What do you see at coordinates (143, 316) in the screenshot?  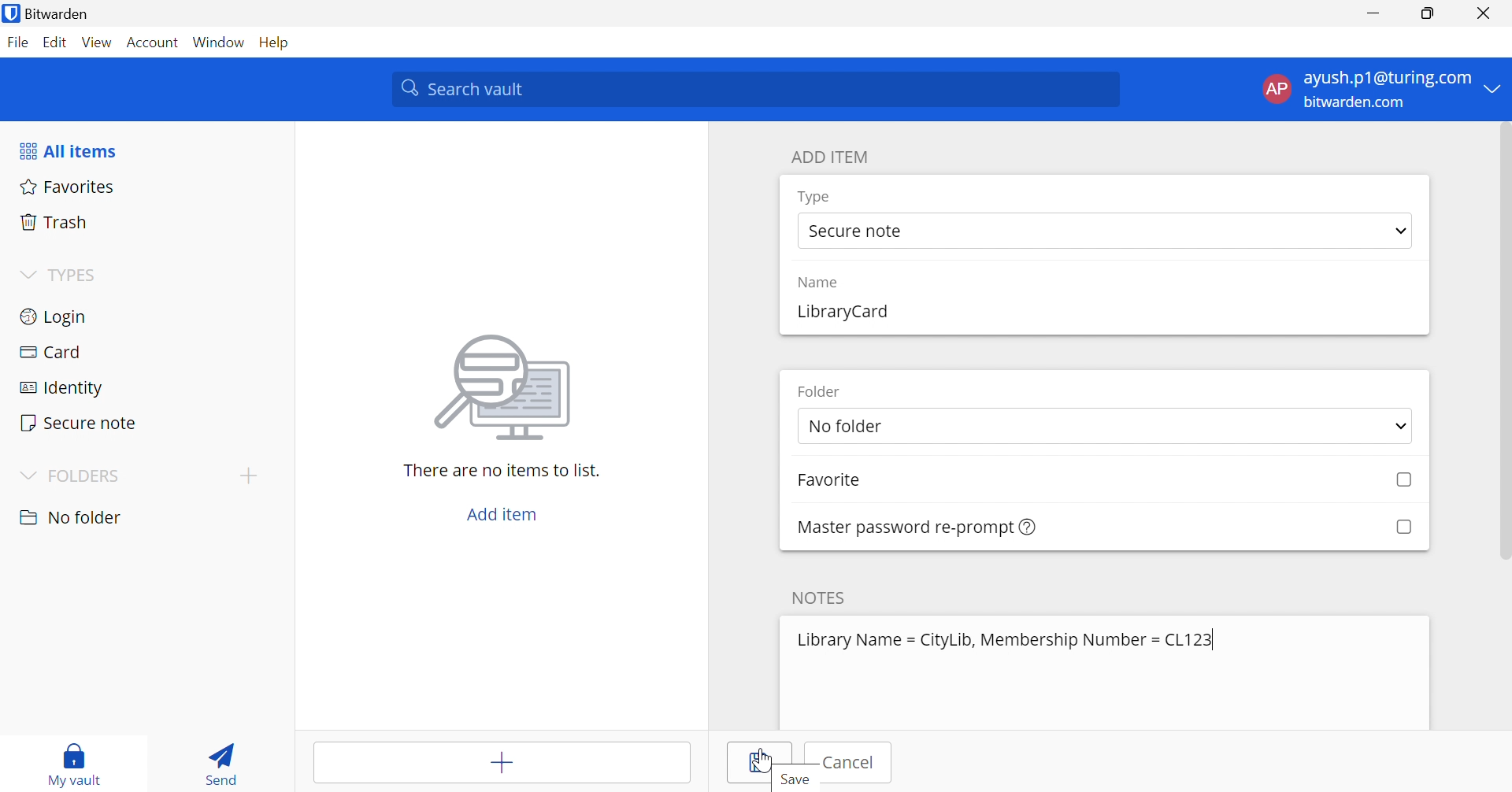 I see `Login` at bounding box center [143, 316].